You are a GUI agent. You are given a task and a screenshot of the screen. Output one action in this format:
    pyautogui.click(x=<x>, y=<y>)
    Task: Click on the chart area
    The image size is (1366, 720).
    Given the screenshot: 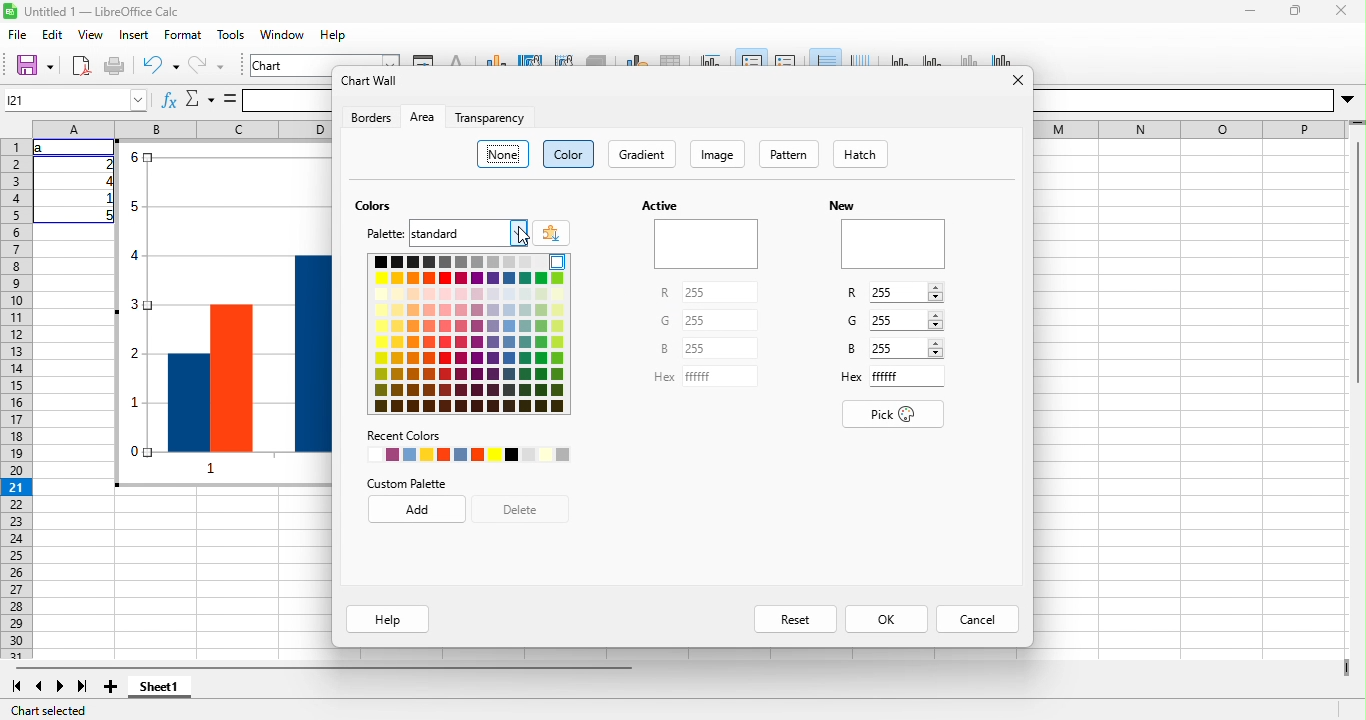 What is the action you would take?
    pyautogui.click(x=325, y=60)
    